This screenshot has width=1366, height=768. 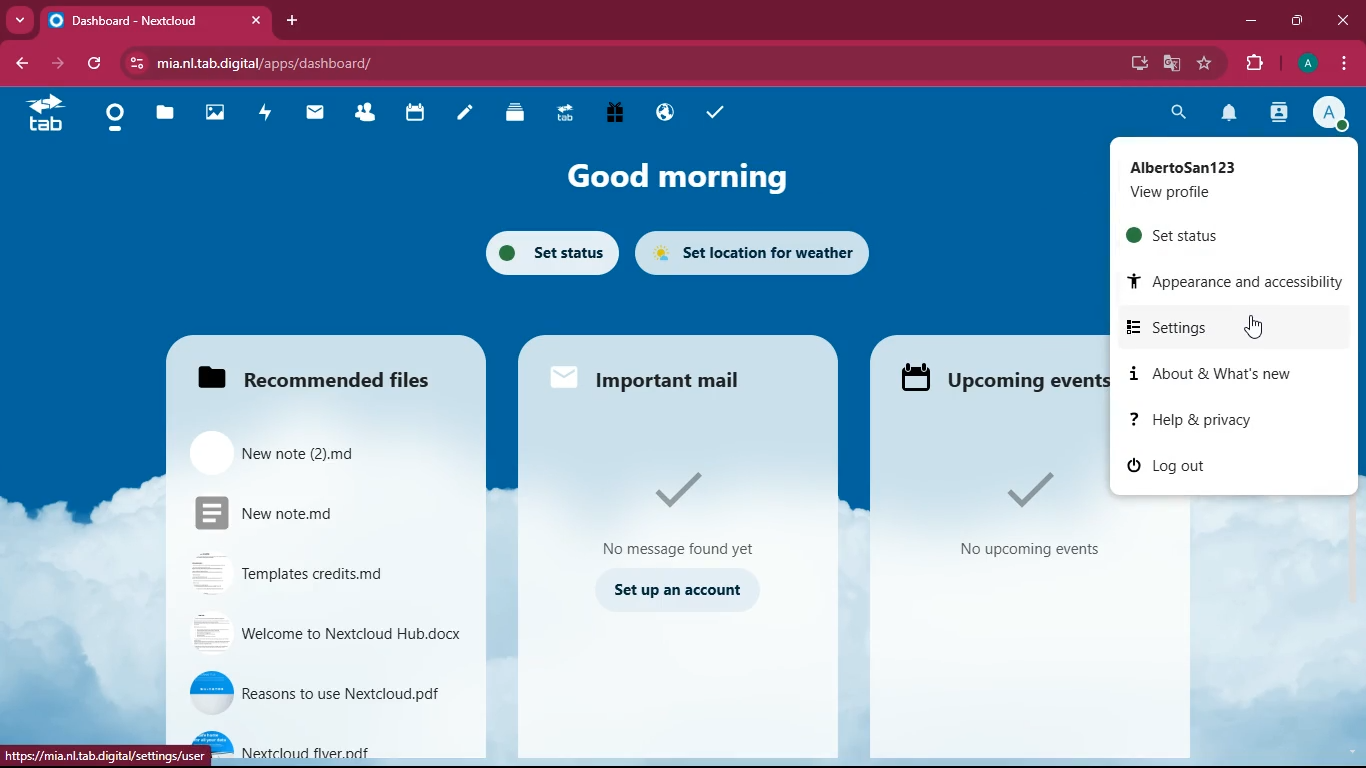 I want to click on Albertosan123
View profile, so click(x=1226, y=179).